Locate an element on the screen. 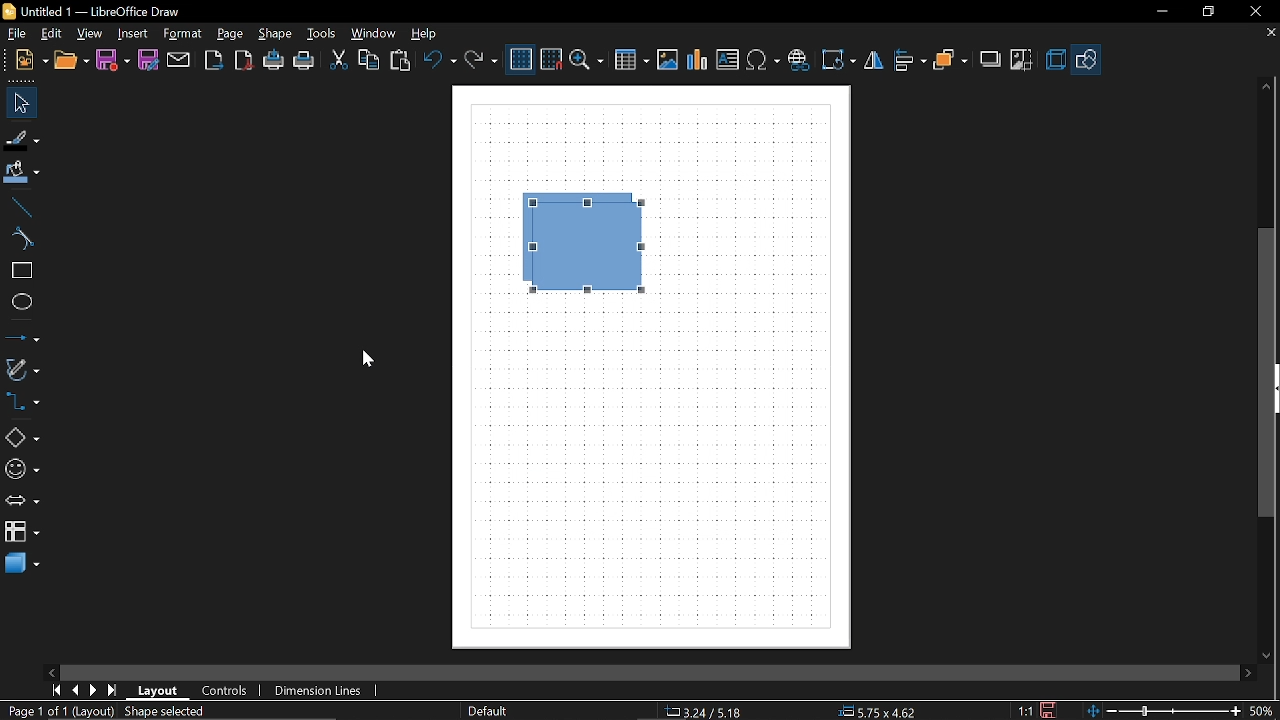  Fill line is located at coordinates (23, 140).